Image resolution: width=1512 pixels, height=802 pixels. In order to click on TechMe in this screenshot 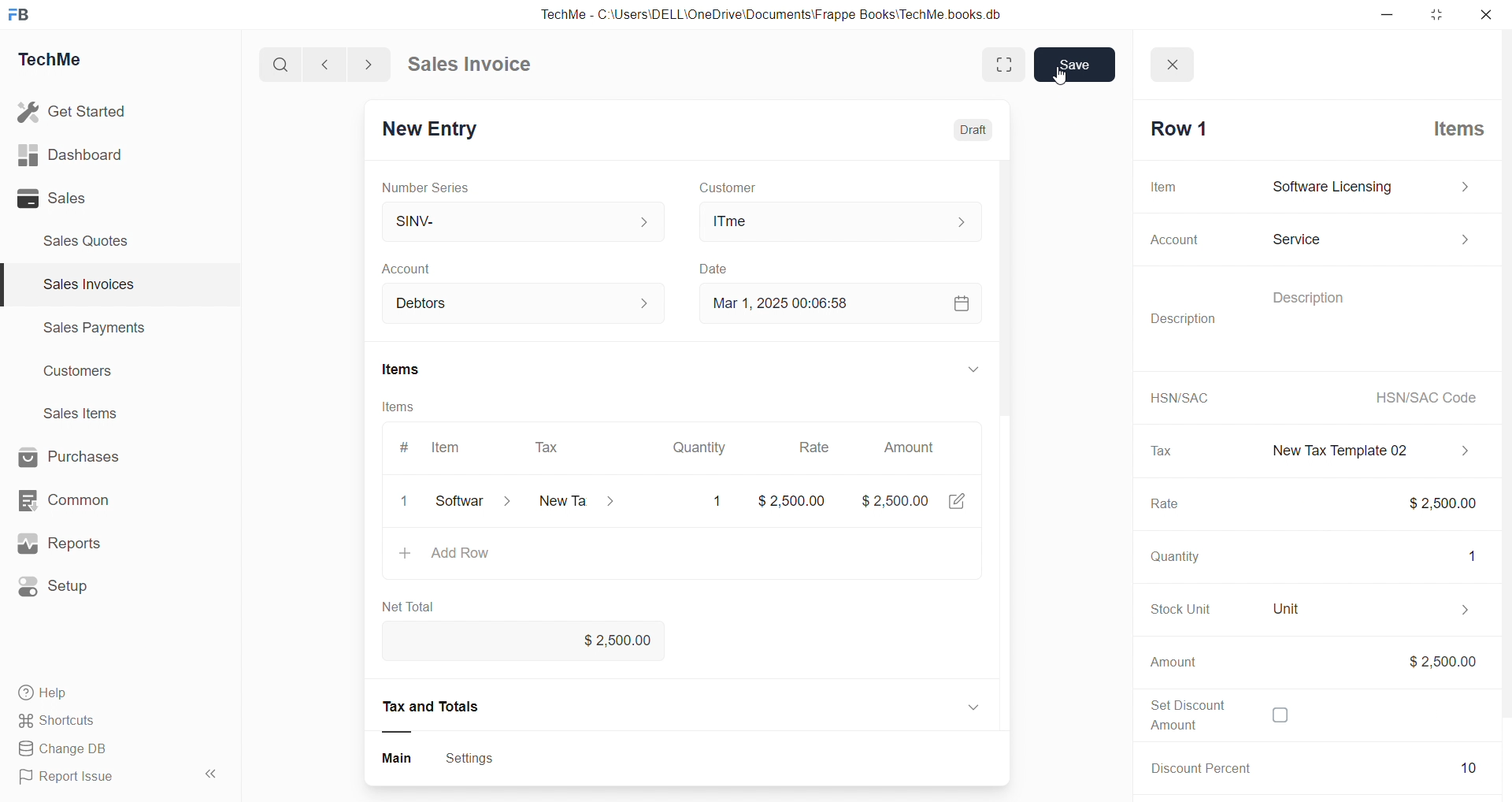, I will do `click(63, 62)`.